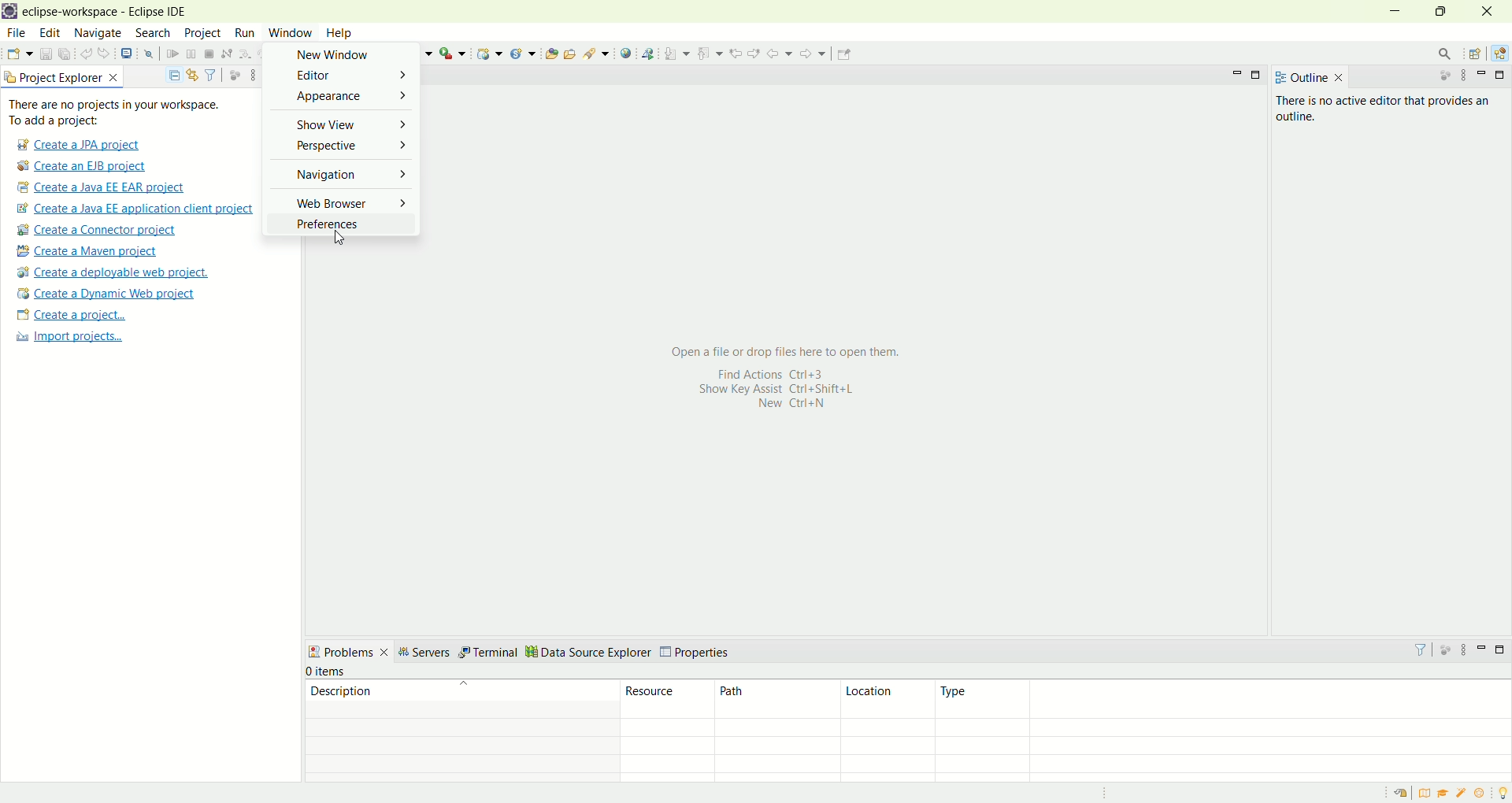 The width and height of the screenshot is (1512, 803). What do you see at coordinates (233, 74) in the screenshot?
I see `focus on active task` at bounding box center [233, 74].